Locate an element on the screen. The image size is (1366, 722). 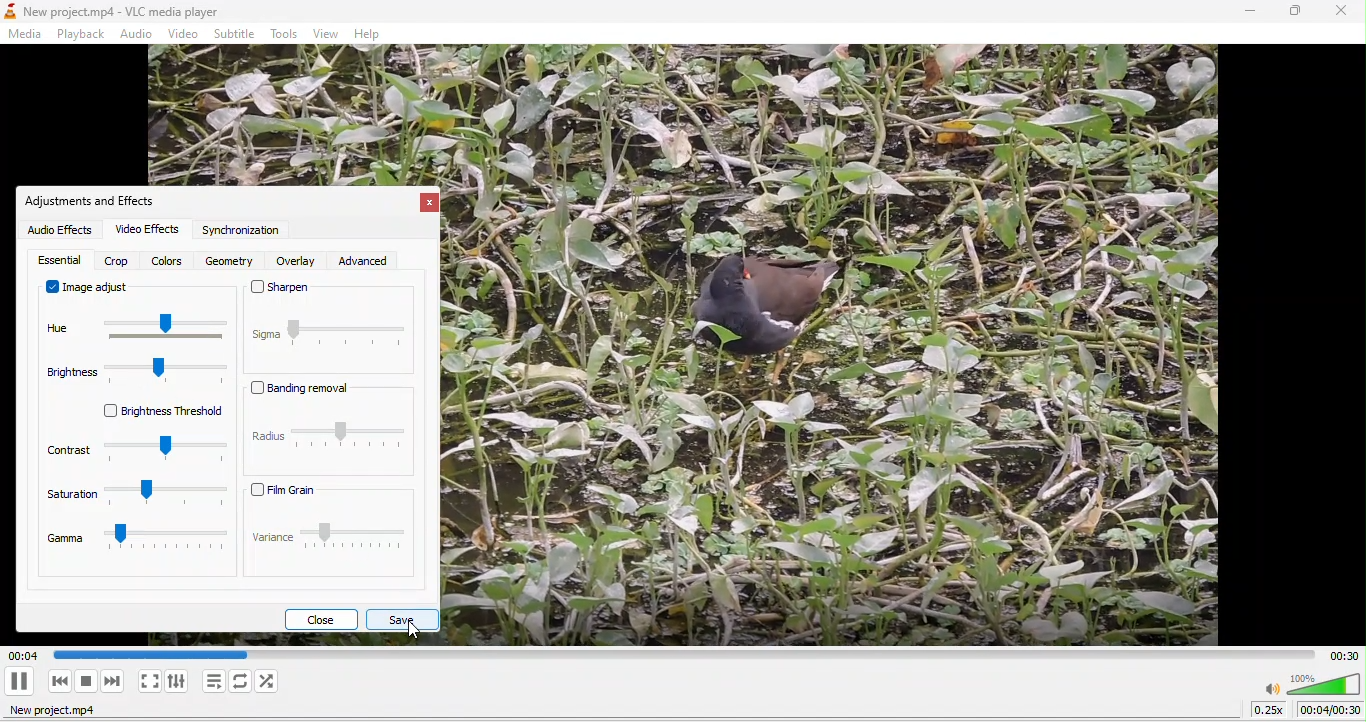
sharpen is located at coordinates (332, 298).